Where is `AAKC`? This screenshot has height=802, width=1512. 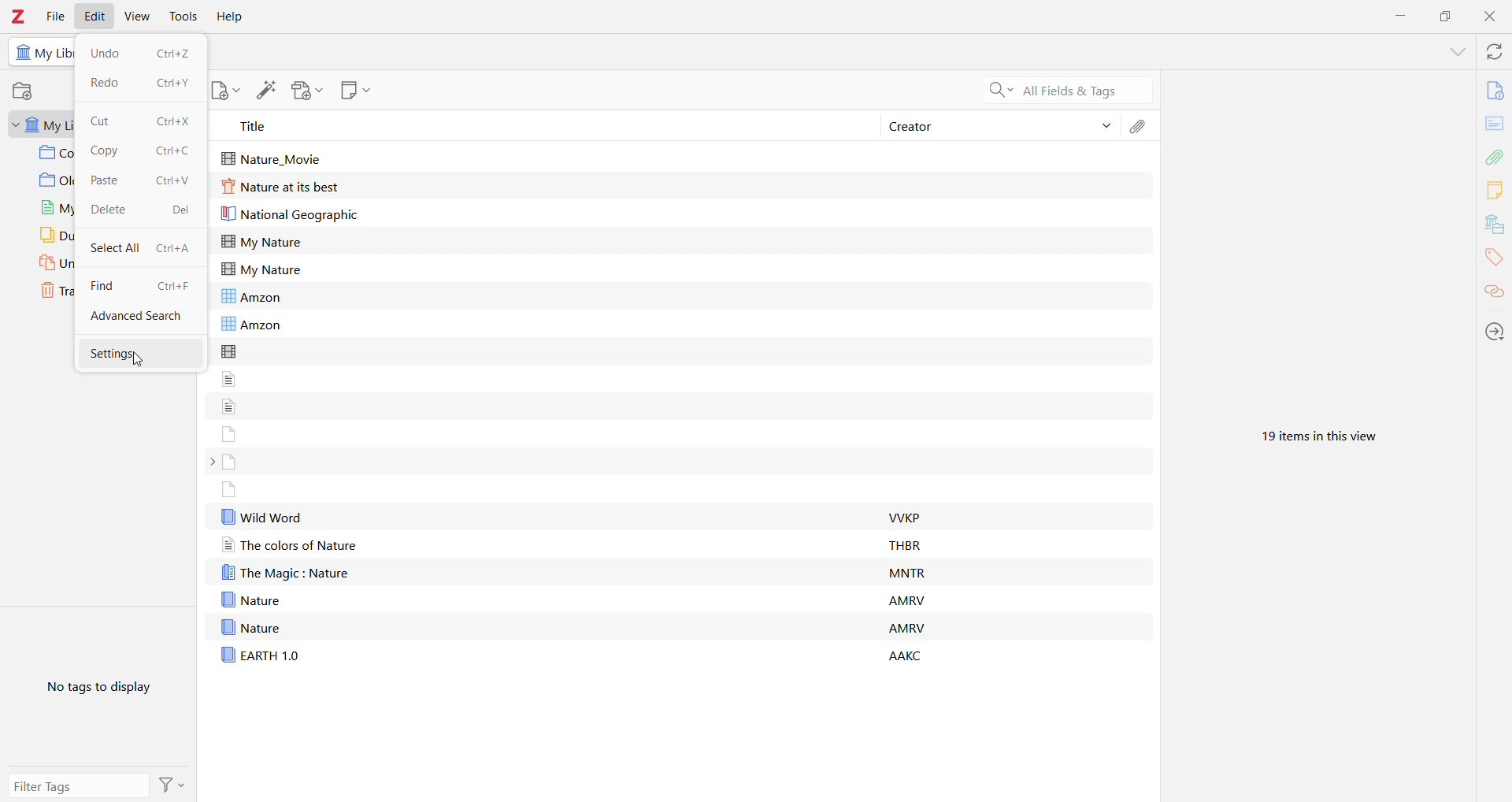 AAKC is located at coordinates (910, 656).